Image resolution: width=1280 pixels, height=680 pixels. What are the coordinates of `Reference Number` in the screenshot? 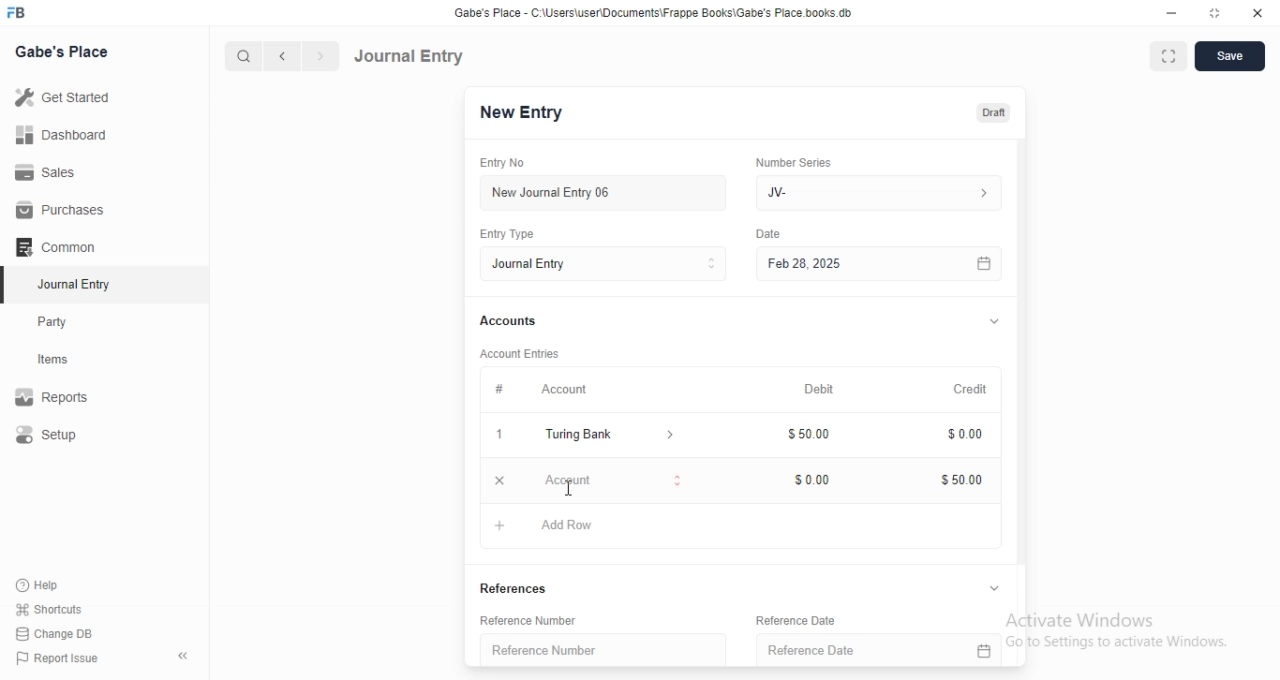 It's located at (600, 648).